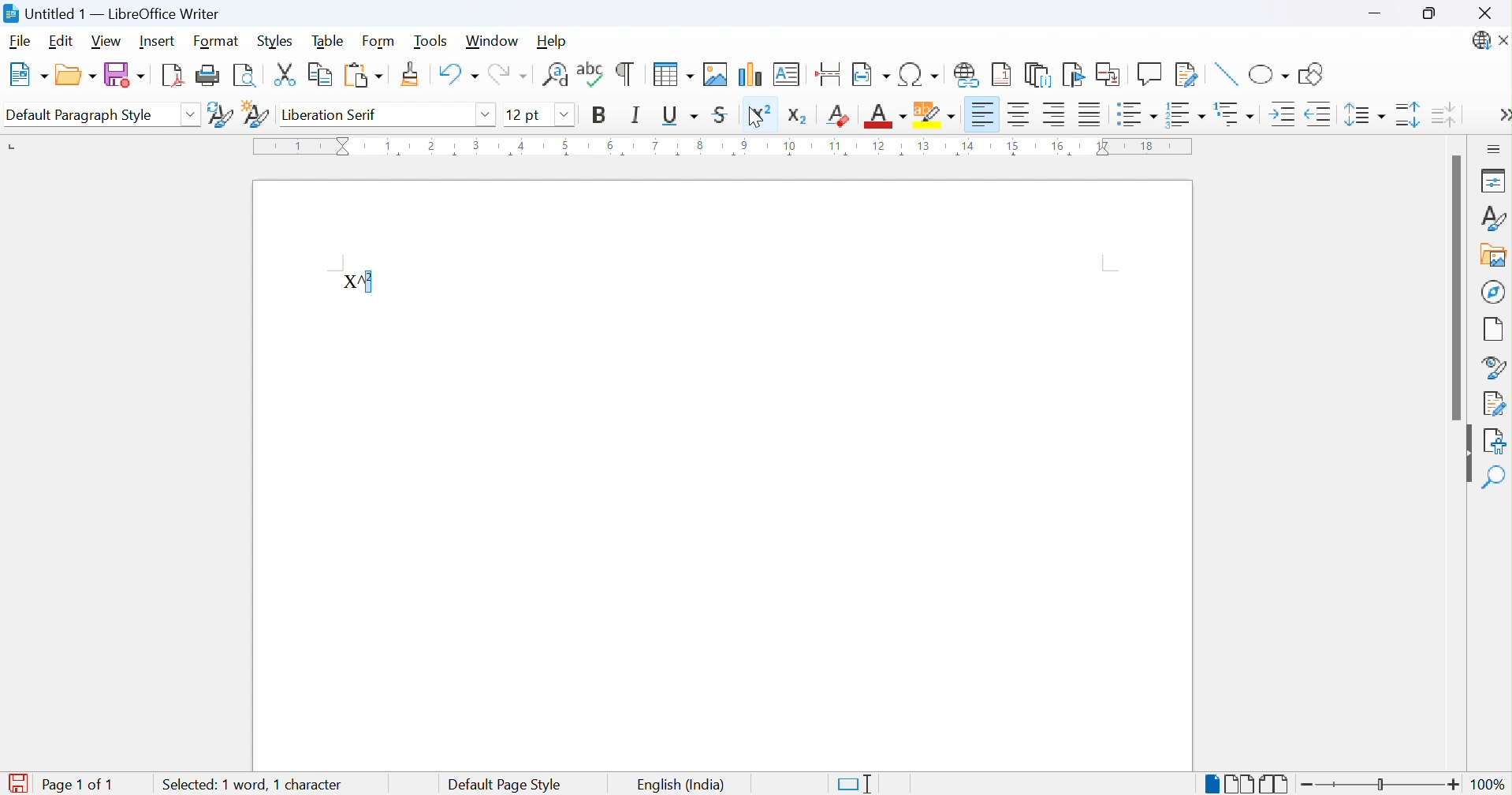 This screenshot has width=1512, height=795. Describe the element at coordinates (1075, 75) in the screenshot. I see `Insert bookmark` at that location.